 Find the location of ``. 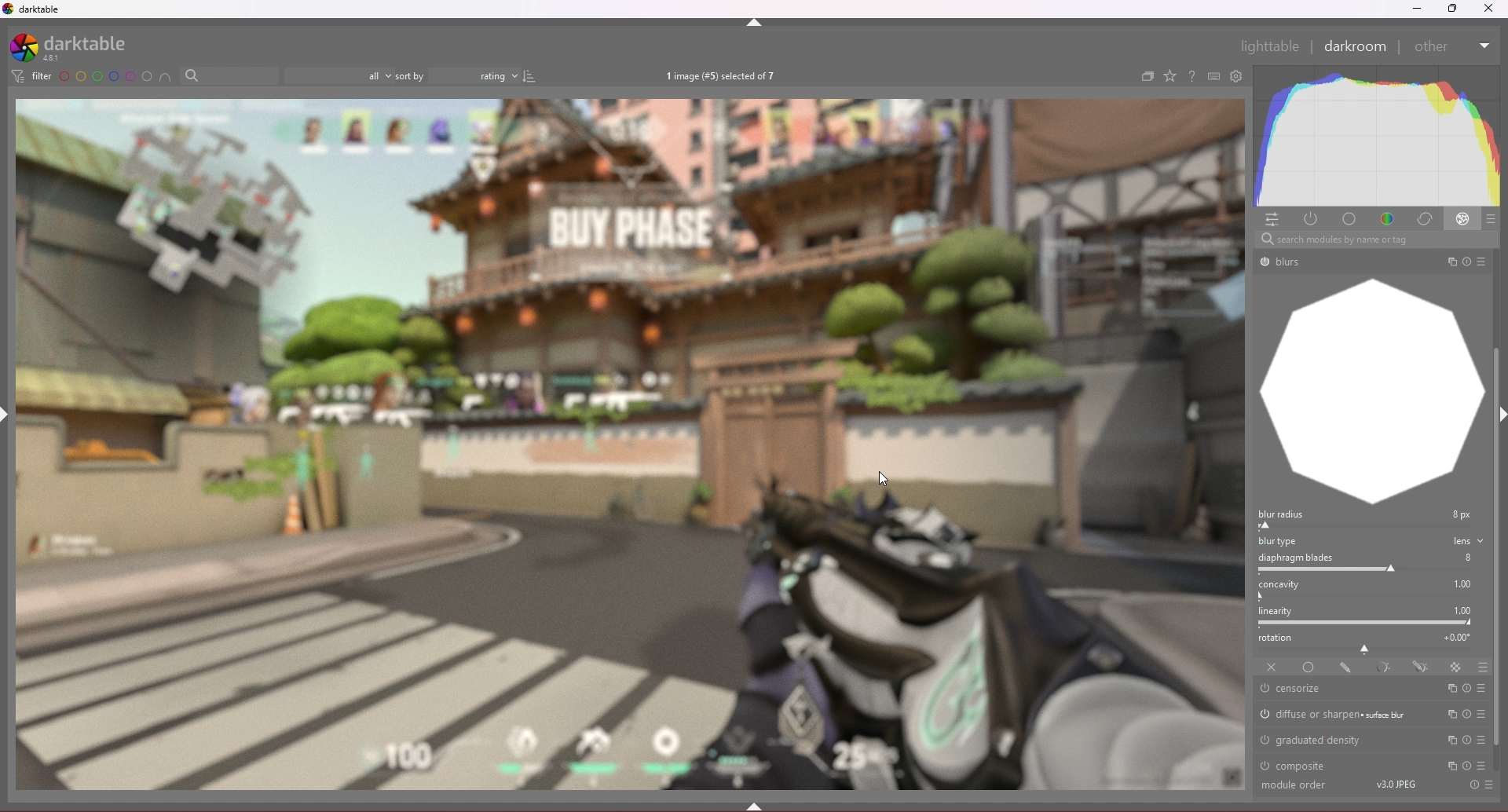

 is located at coordinates (1433, 48).